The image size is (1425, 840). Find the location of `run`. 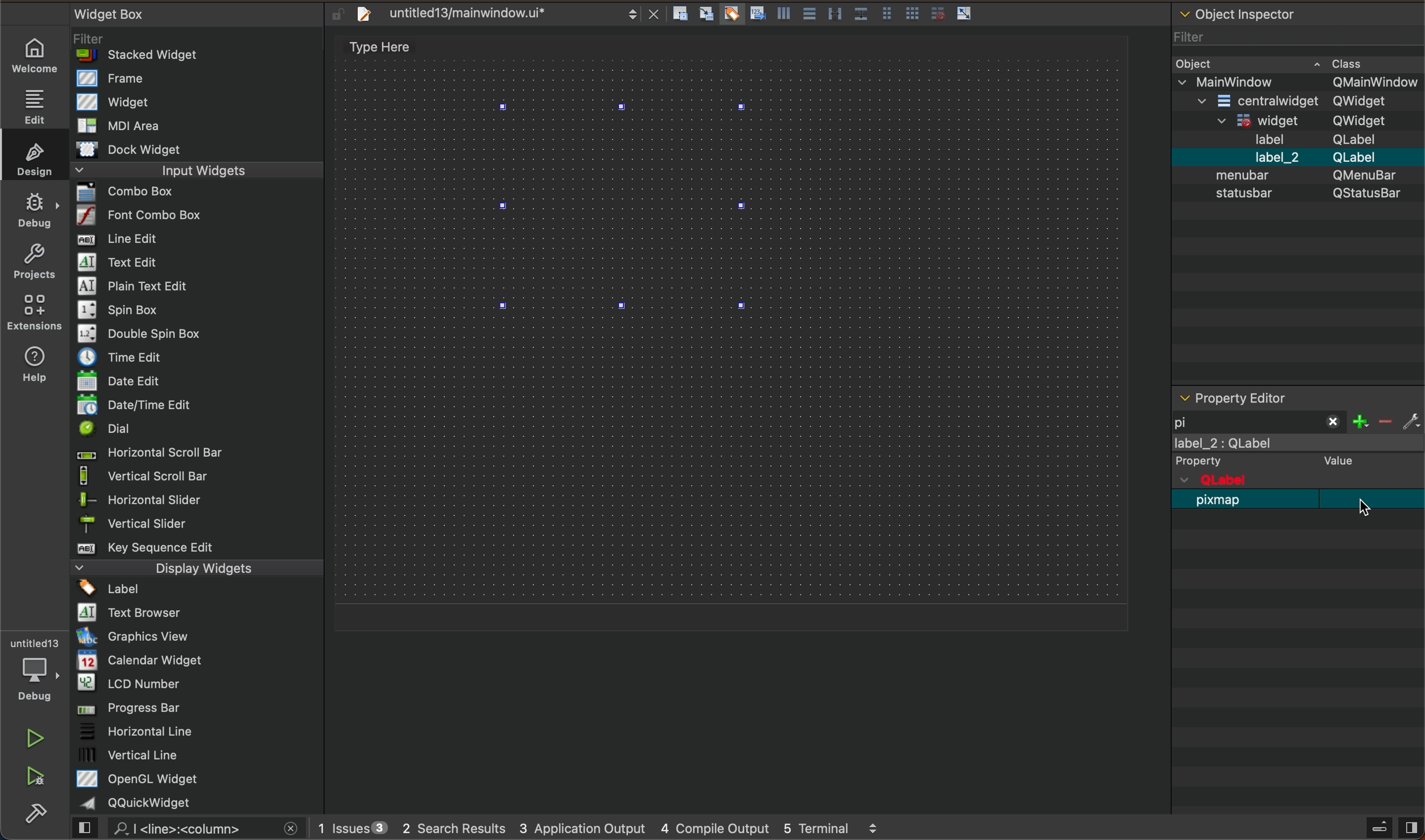

run is located at coordinates (34, 736).